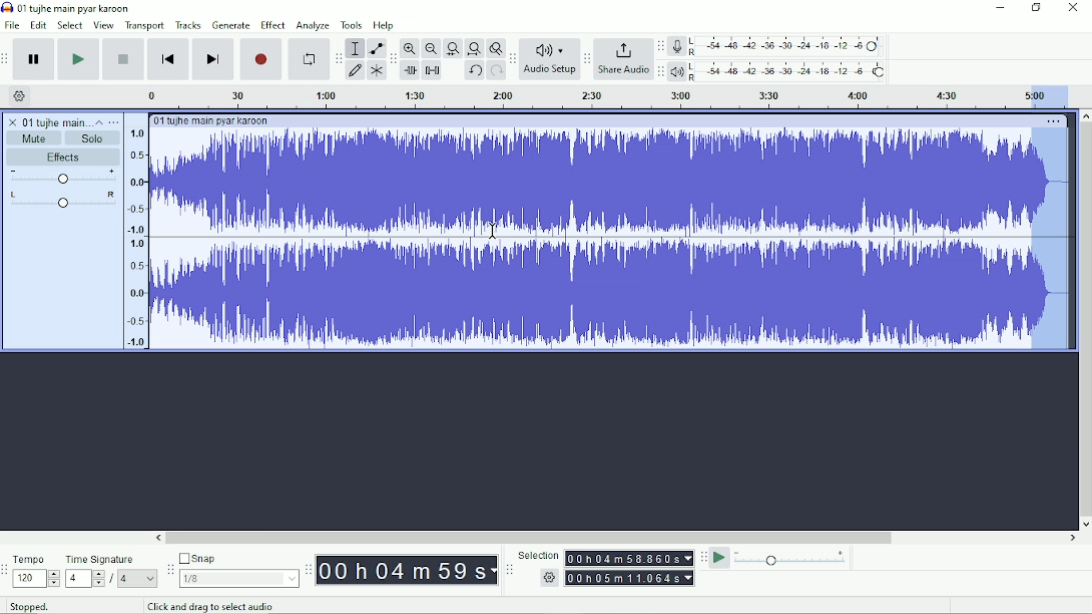 The image size is (1092, 614). Describe the element at coordinates (355, 48) in the screenshot. I see `Selection tool` at that location.